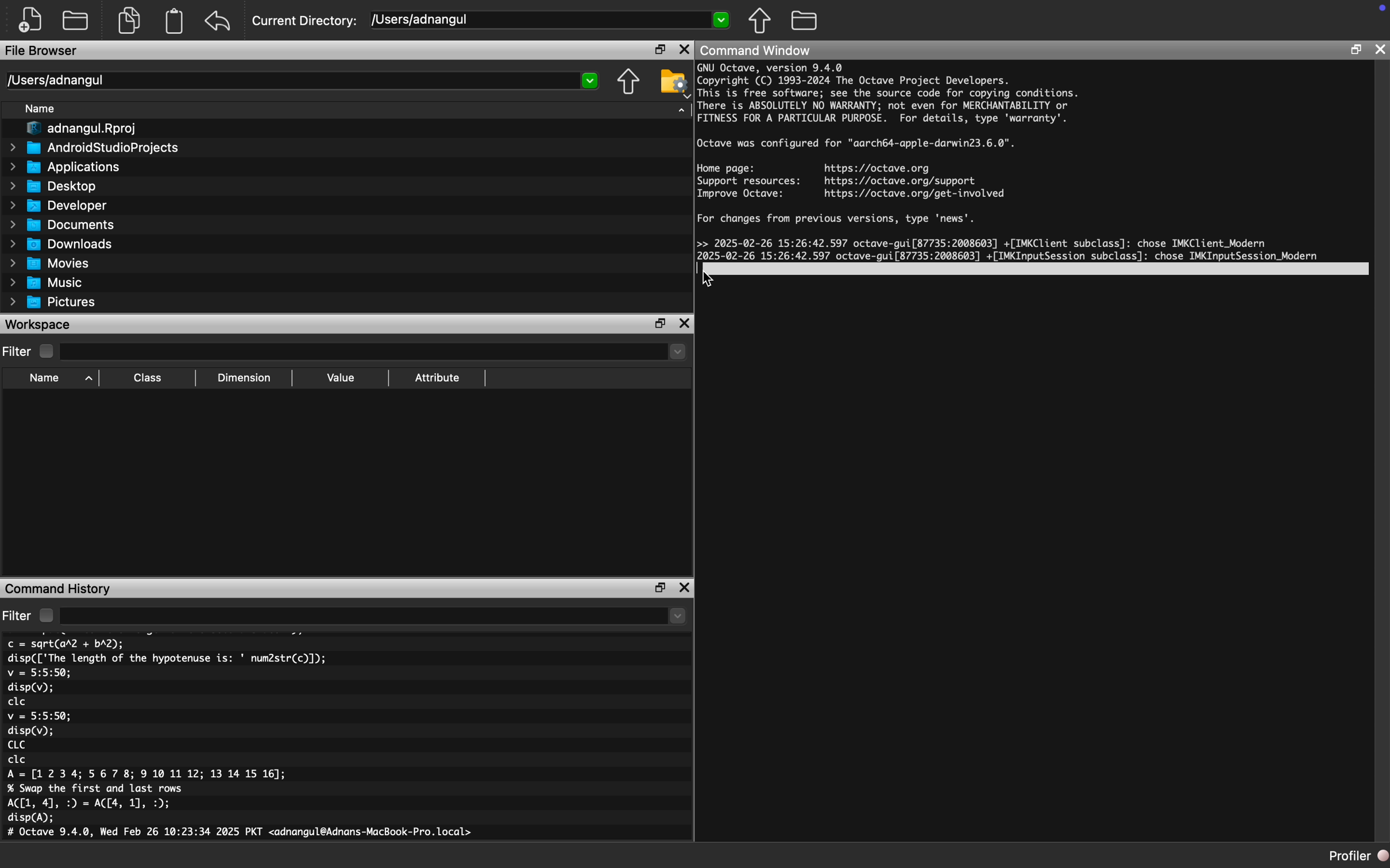 The height and width of the screenshot is (868, 1390). What do you see at coordinates (711, 280) in the screenshot?
I see `Cursor` at bounding box center [711, 280].